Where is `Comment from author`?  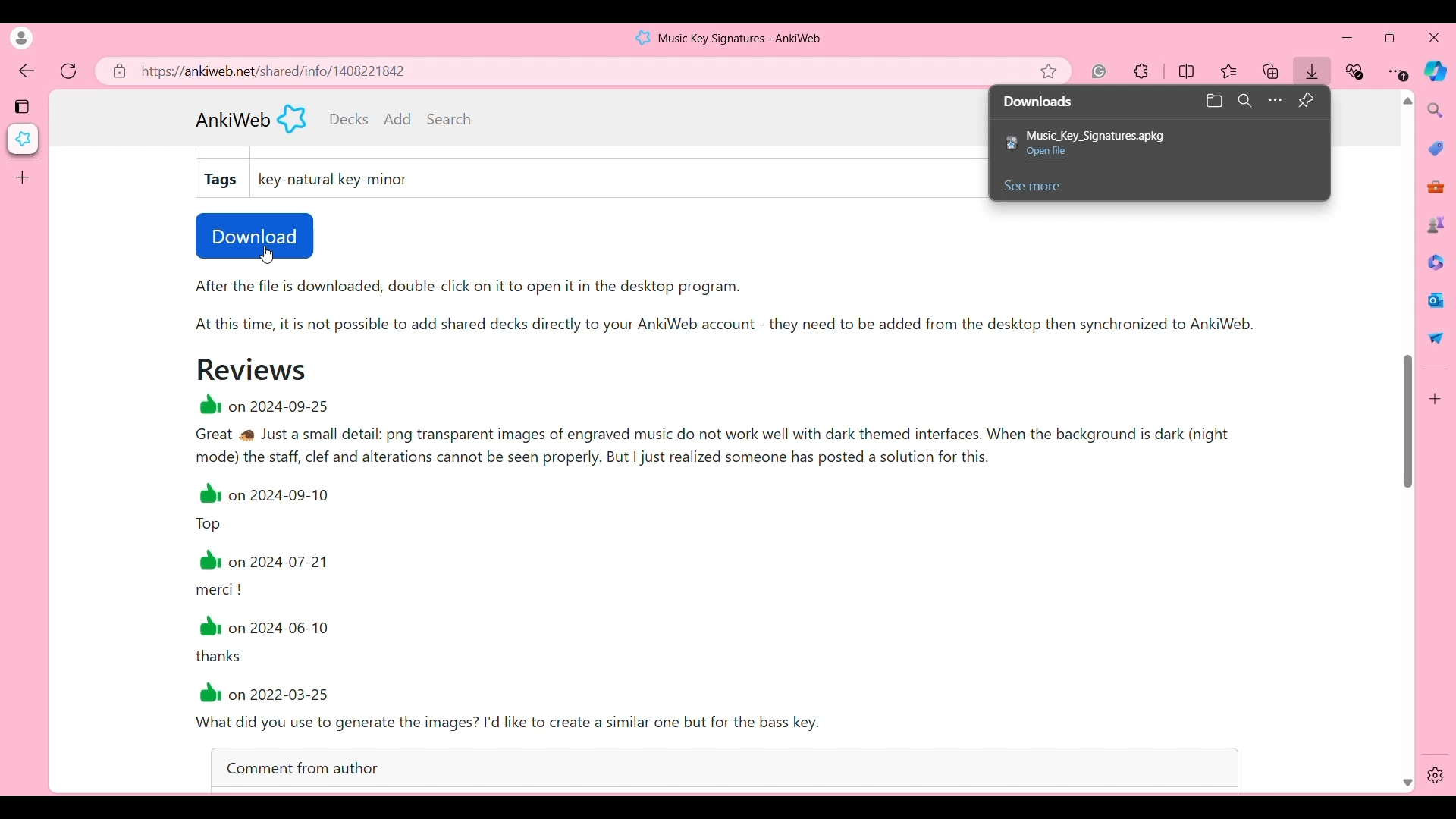
Comment from author is located at coordinates (724, 767).